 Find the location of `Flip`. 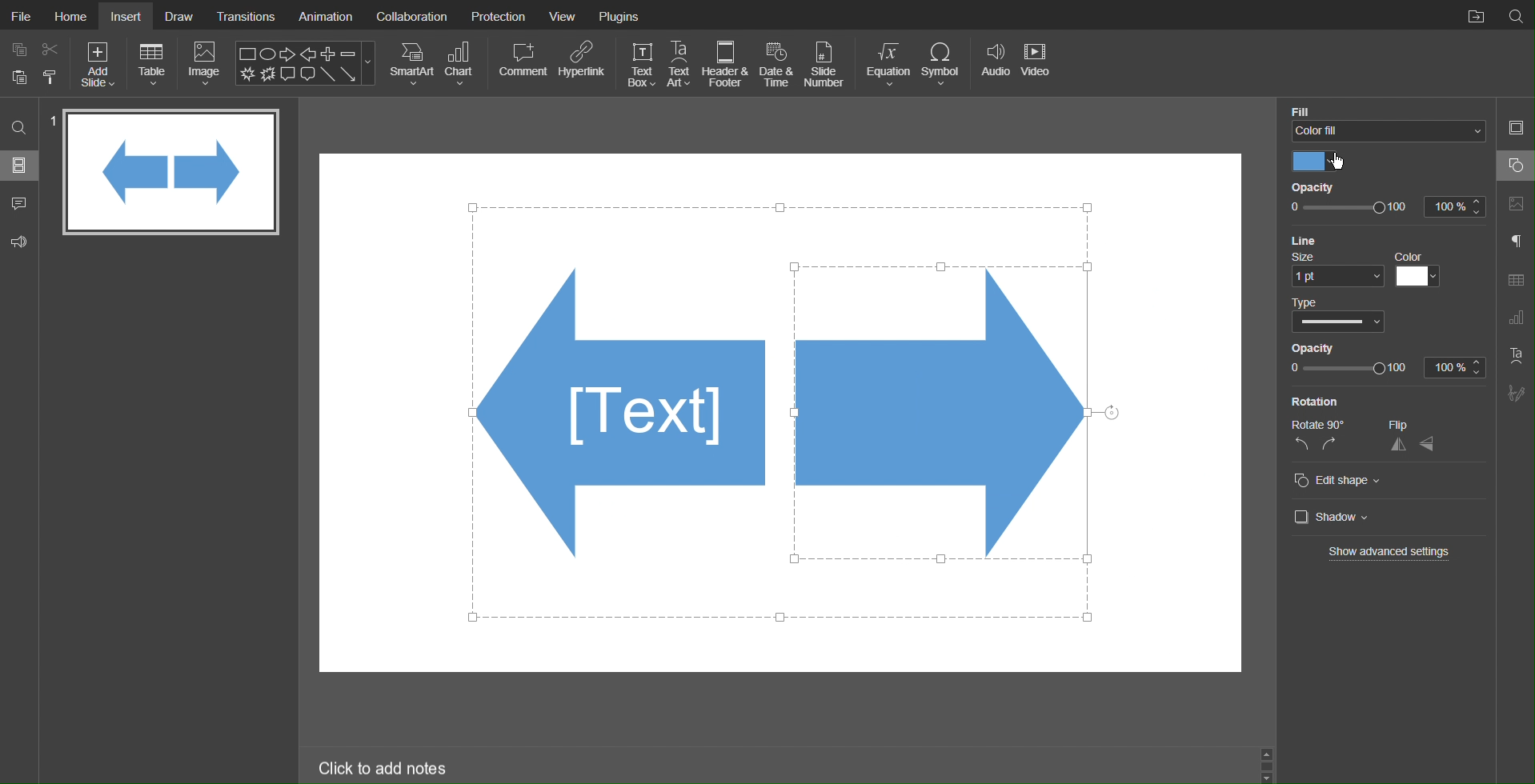

Flip is located at coordinates (1417, 424).